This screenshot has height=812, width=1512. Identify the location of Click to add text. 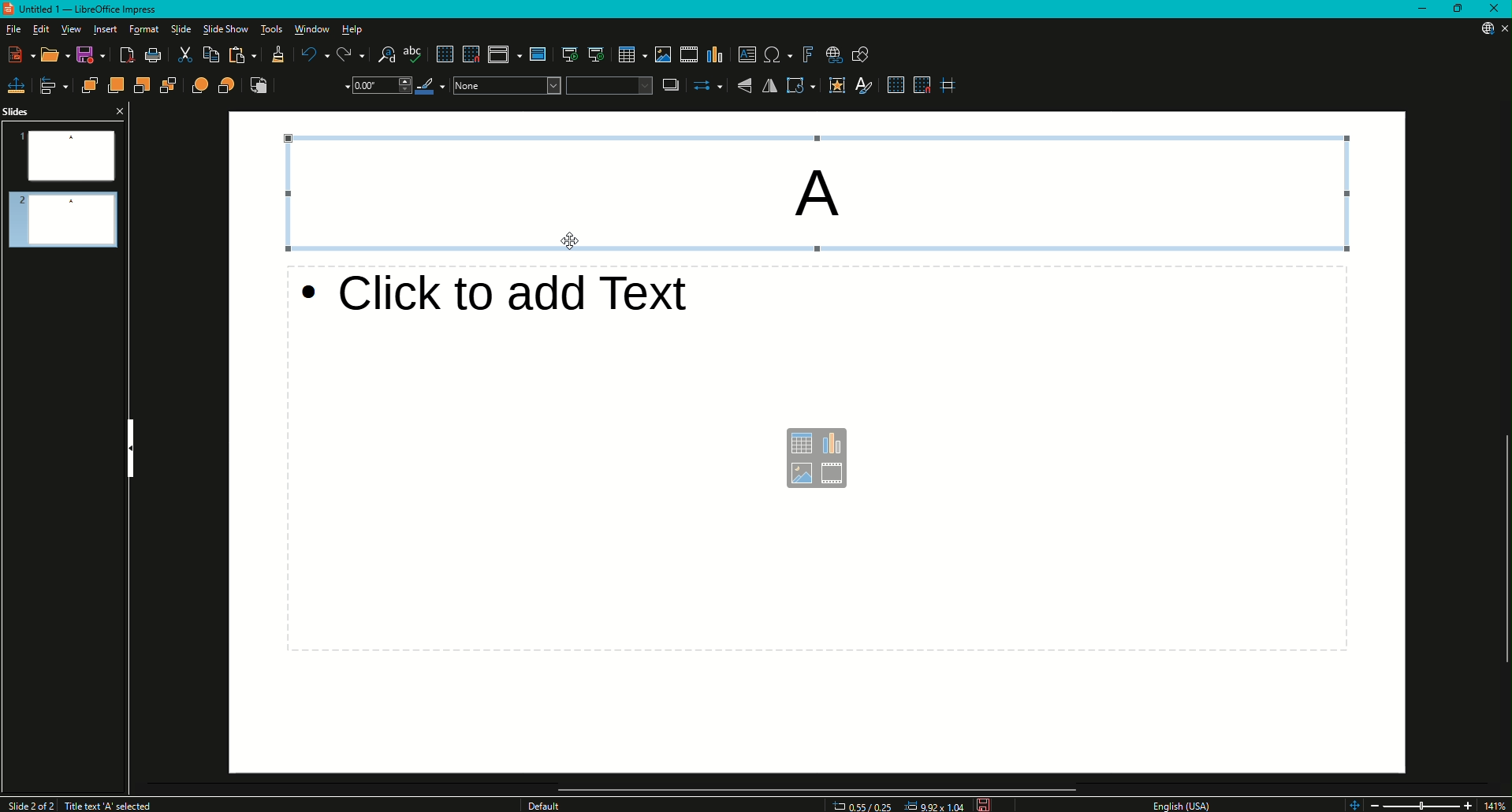
(519, 298).